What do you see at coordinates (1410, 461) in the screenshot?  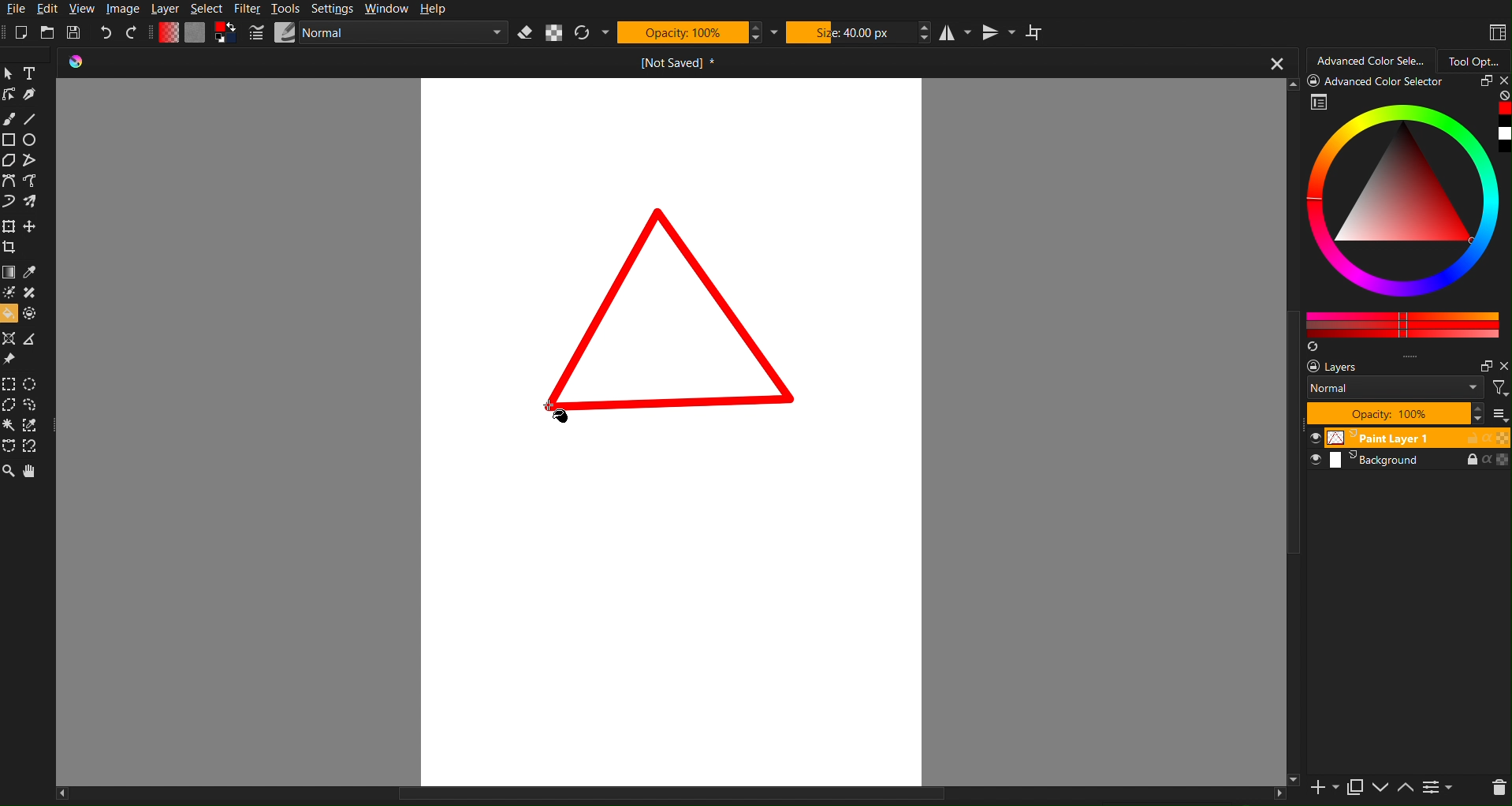 I see `background` at bounding box center [1410, 461].